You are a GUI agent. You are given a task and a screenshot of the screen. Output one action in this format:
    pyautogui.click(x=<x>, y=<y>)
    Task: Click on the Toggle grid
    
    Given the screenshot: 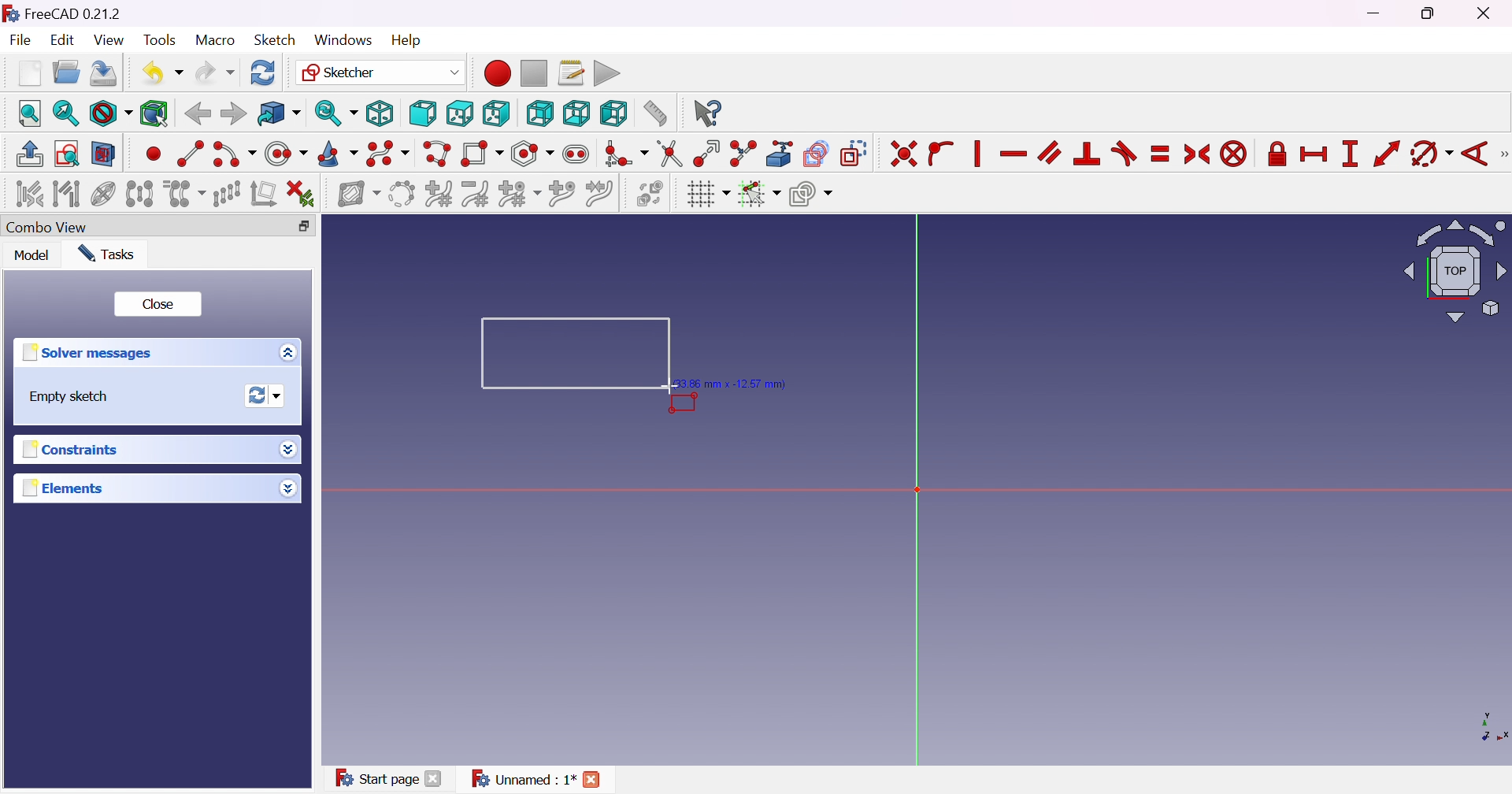 What is the action you would take?
    pyautogui.click(x=707, y=195)
    